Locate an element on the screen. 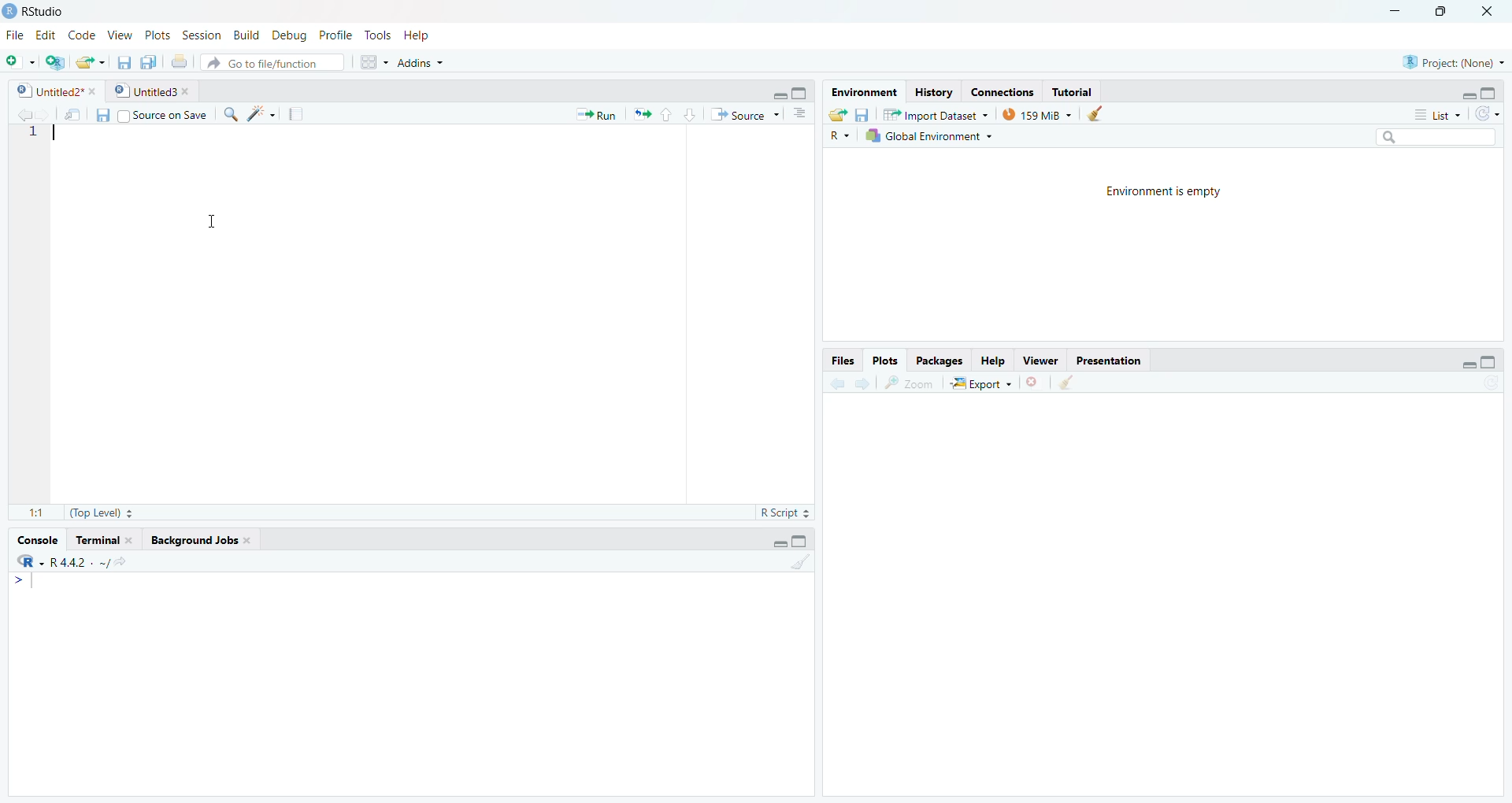 Image resolution: width=1512 pixels, height=803 pixels. Compile Report is located at coordinates (301, 115).